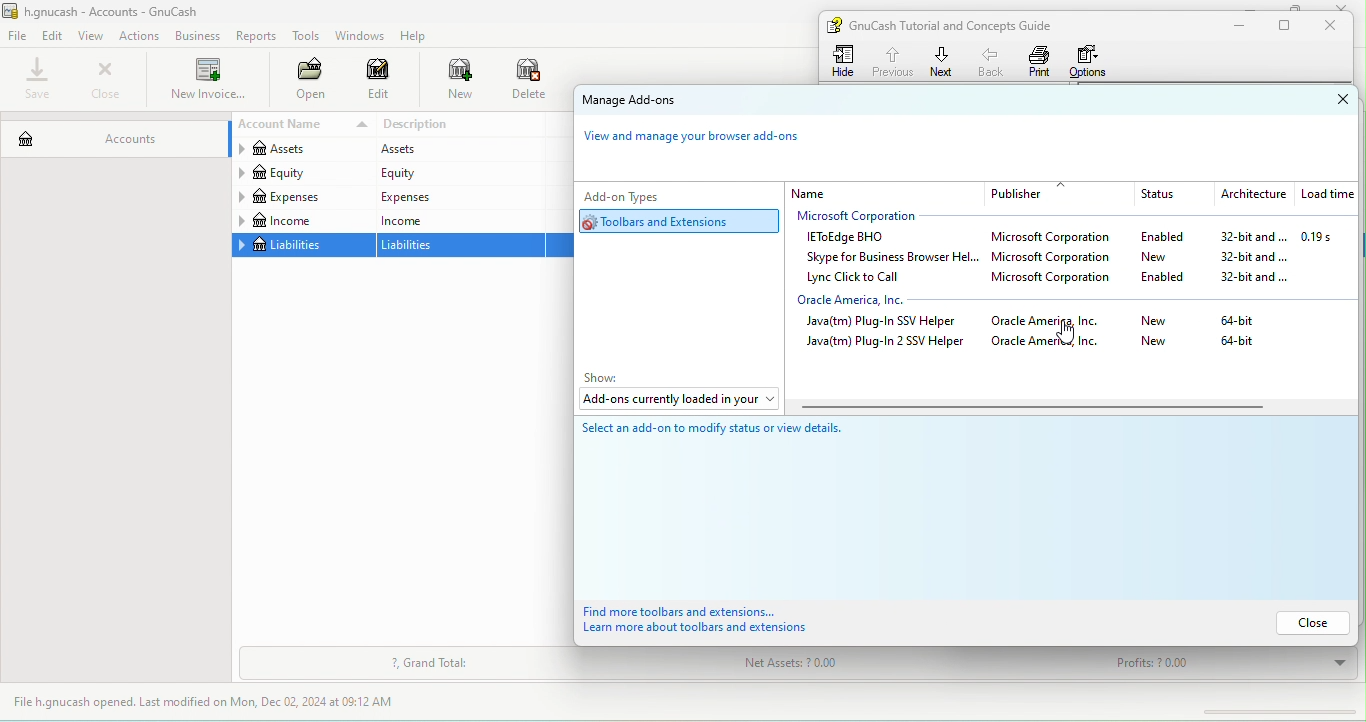  Describe the element at coordinates (1059, 194) in the screenshot. I see `publisher` at that location.